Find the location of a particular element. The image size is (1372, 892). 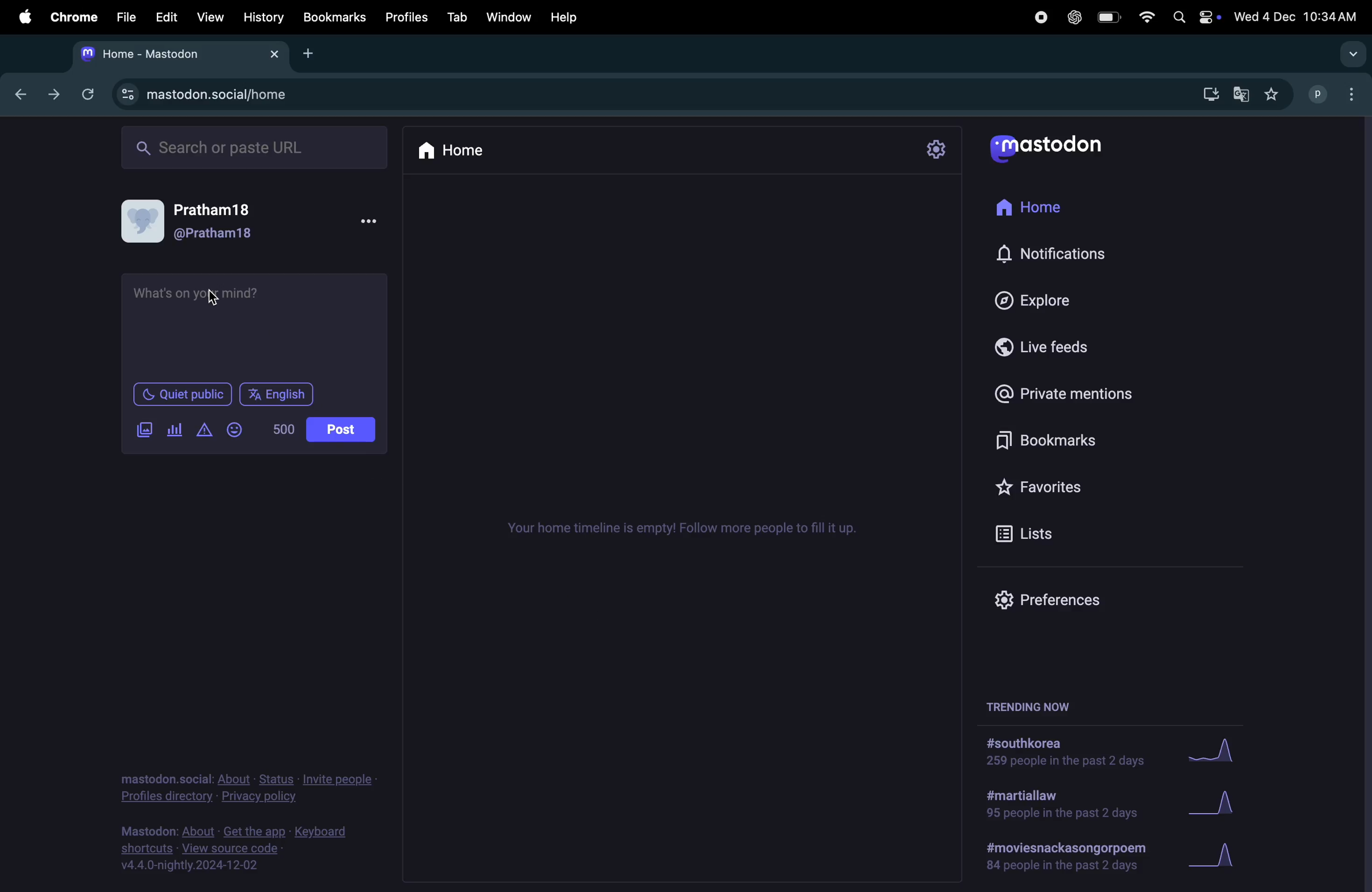

Notifications is located at coordinates (1053, 255).